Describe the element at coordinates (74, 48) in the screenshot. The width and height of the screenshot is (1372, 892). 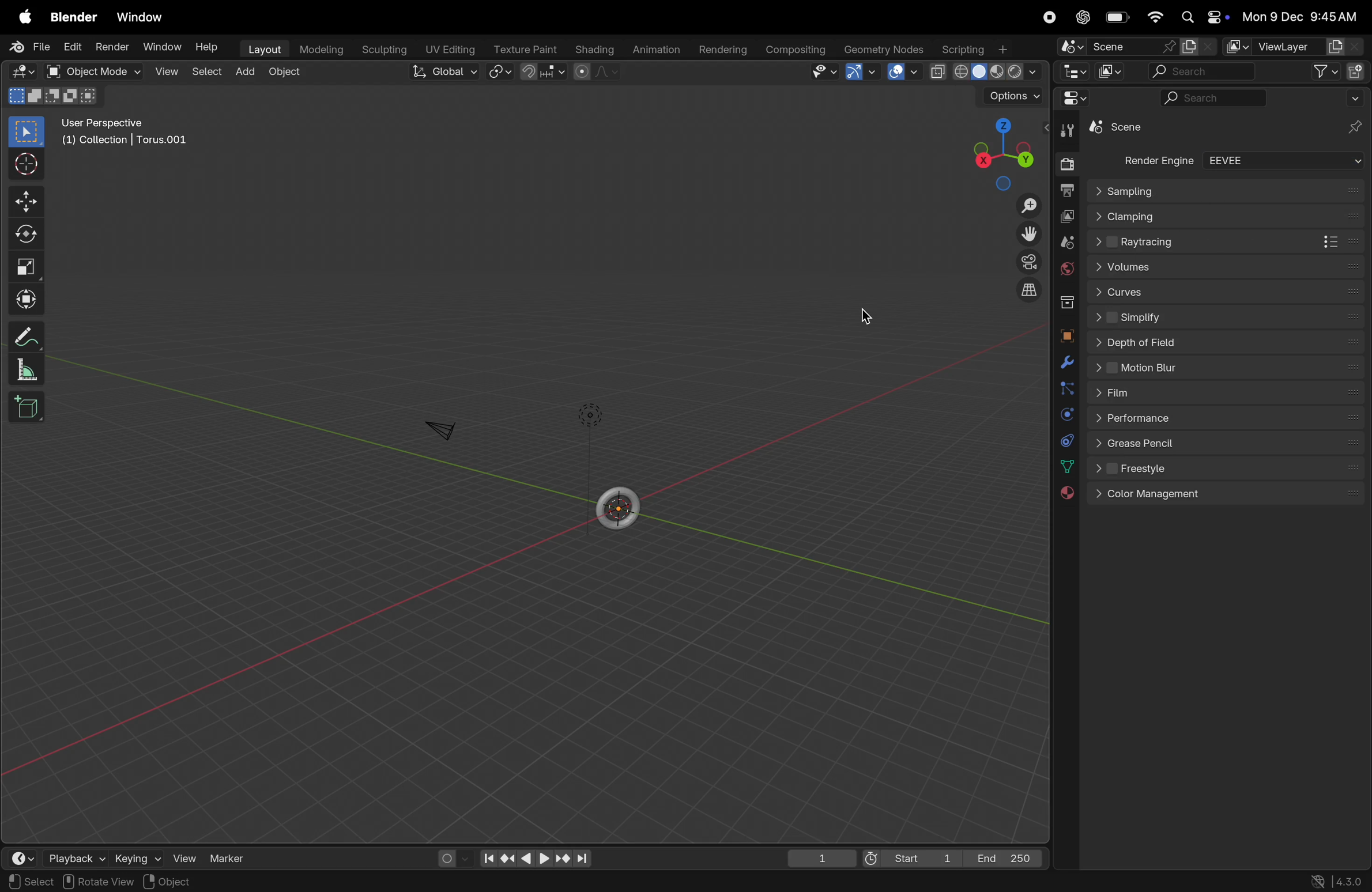
I see `edit` at that location.